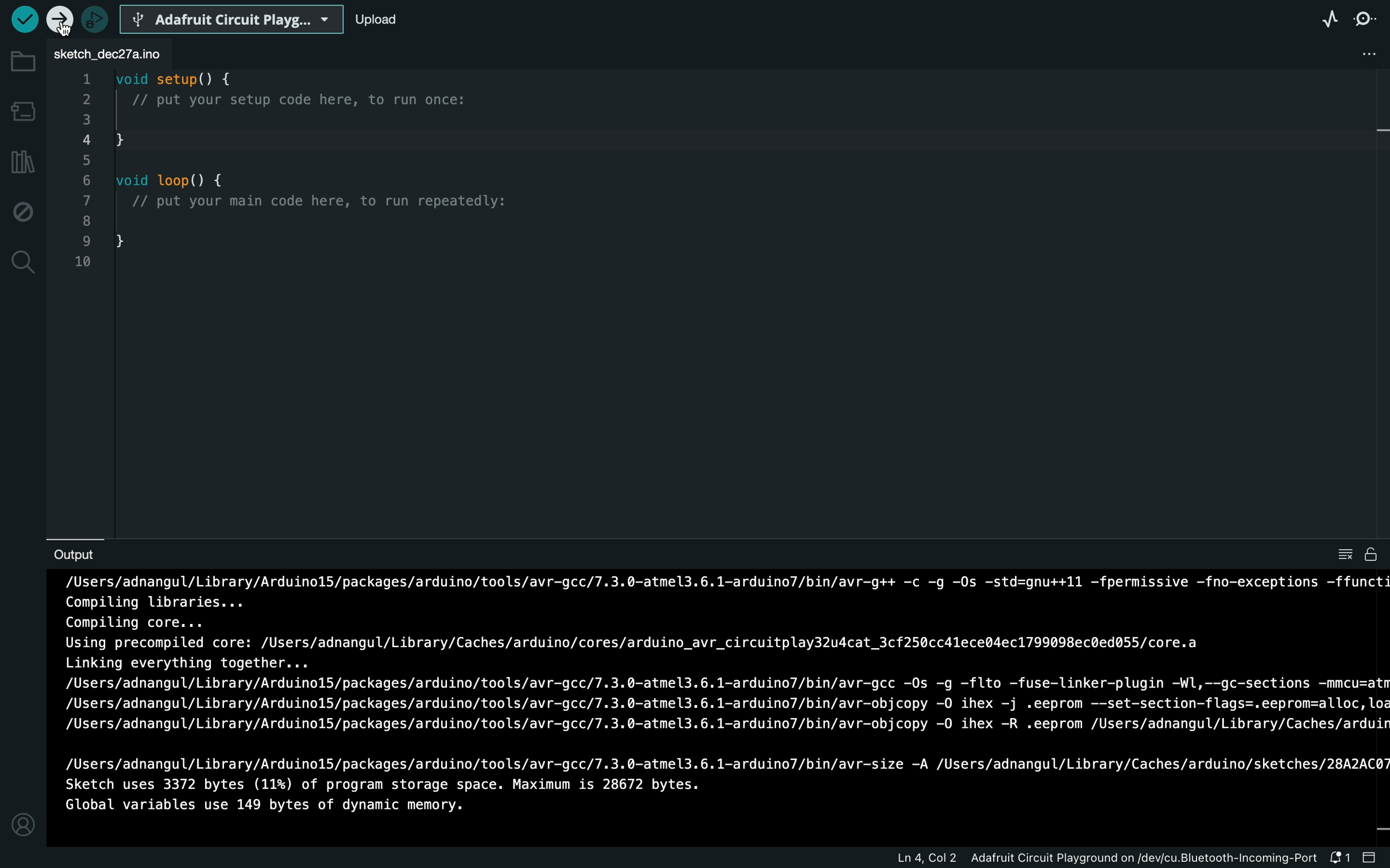 This screenshot has width=1390, height=868. I want to click on file is writable, so click(1374, 557).